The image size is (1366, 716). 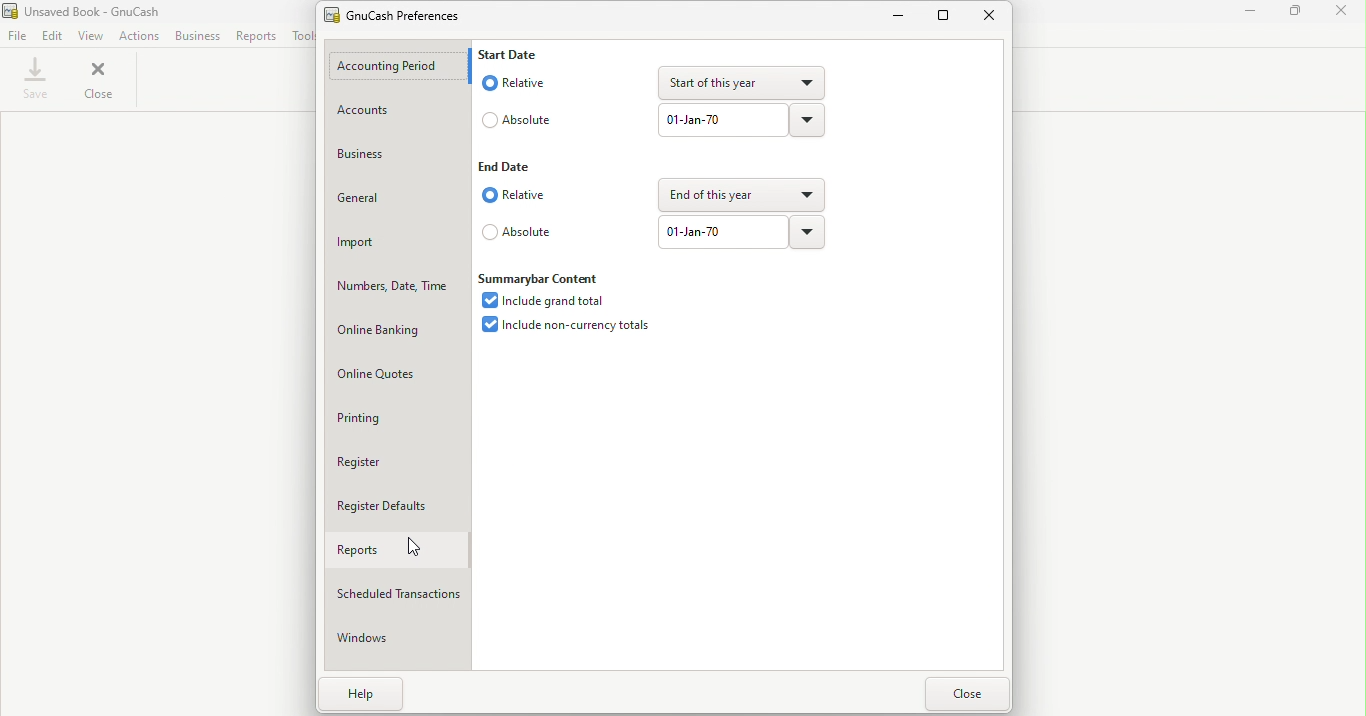 What do you see at coordinates (1346, 14) in the screenshot?
I see `Close` at bounding box center [1346, 14].